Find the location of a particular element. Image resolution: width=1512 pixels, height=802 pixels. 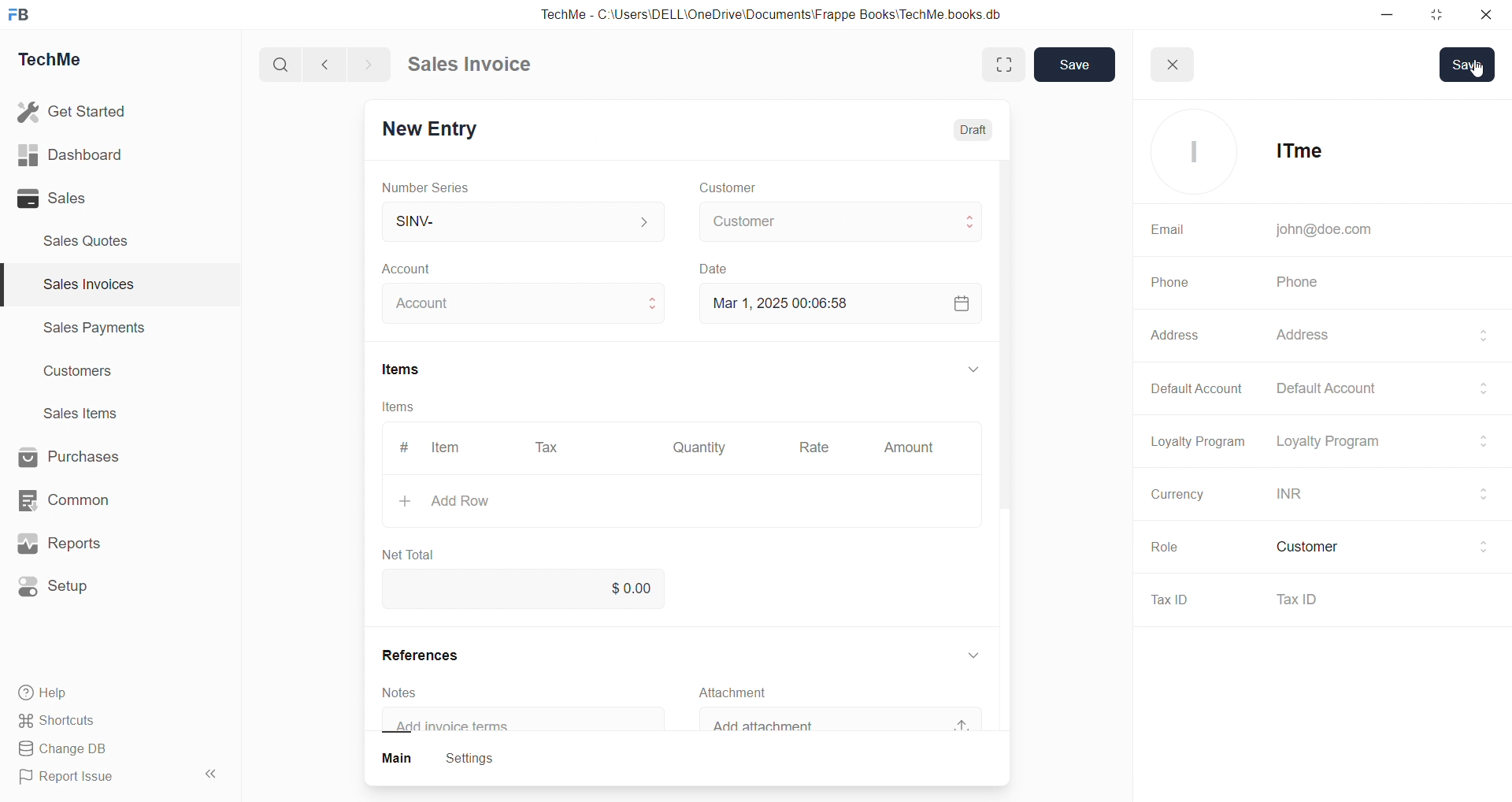

« is located at coordinates (212, 771).